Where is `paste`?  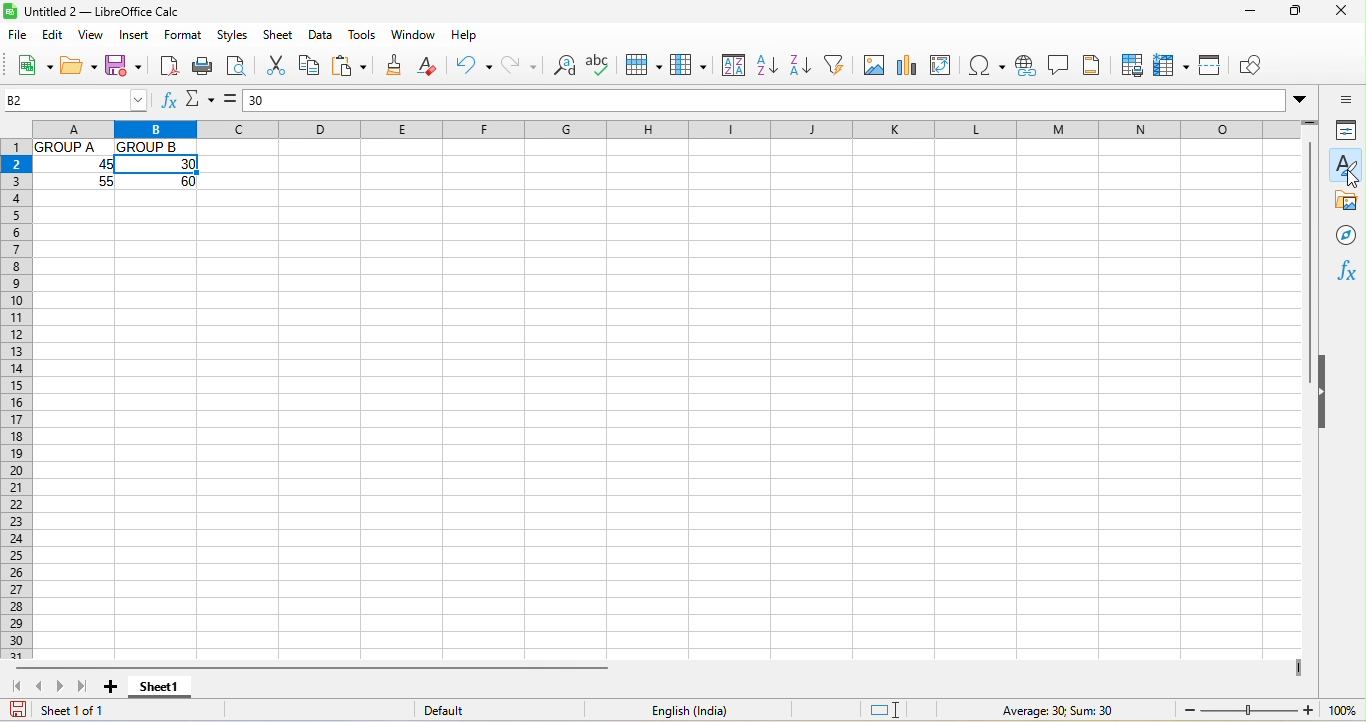
paste is located at coordinates (353, 67).